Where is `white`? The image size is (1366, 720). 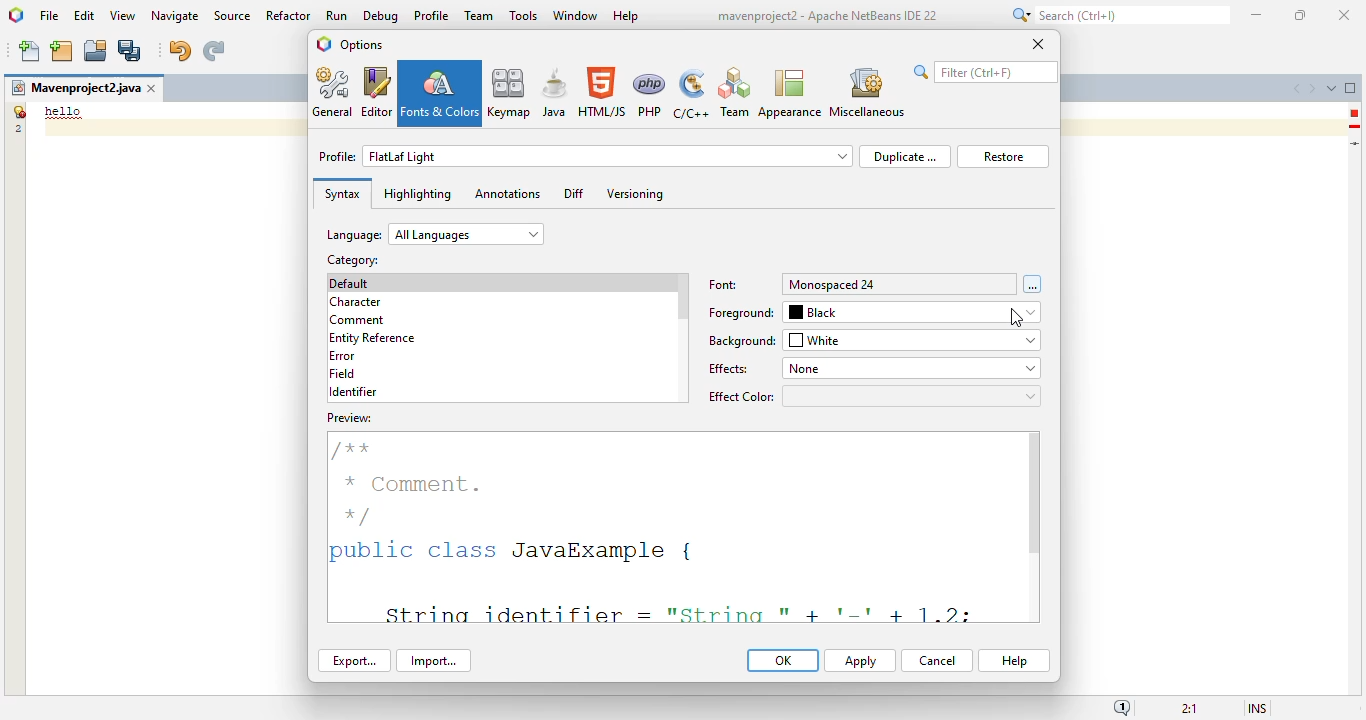
white is located at coordinates (913, 340).